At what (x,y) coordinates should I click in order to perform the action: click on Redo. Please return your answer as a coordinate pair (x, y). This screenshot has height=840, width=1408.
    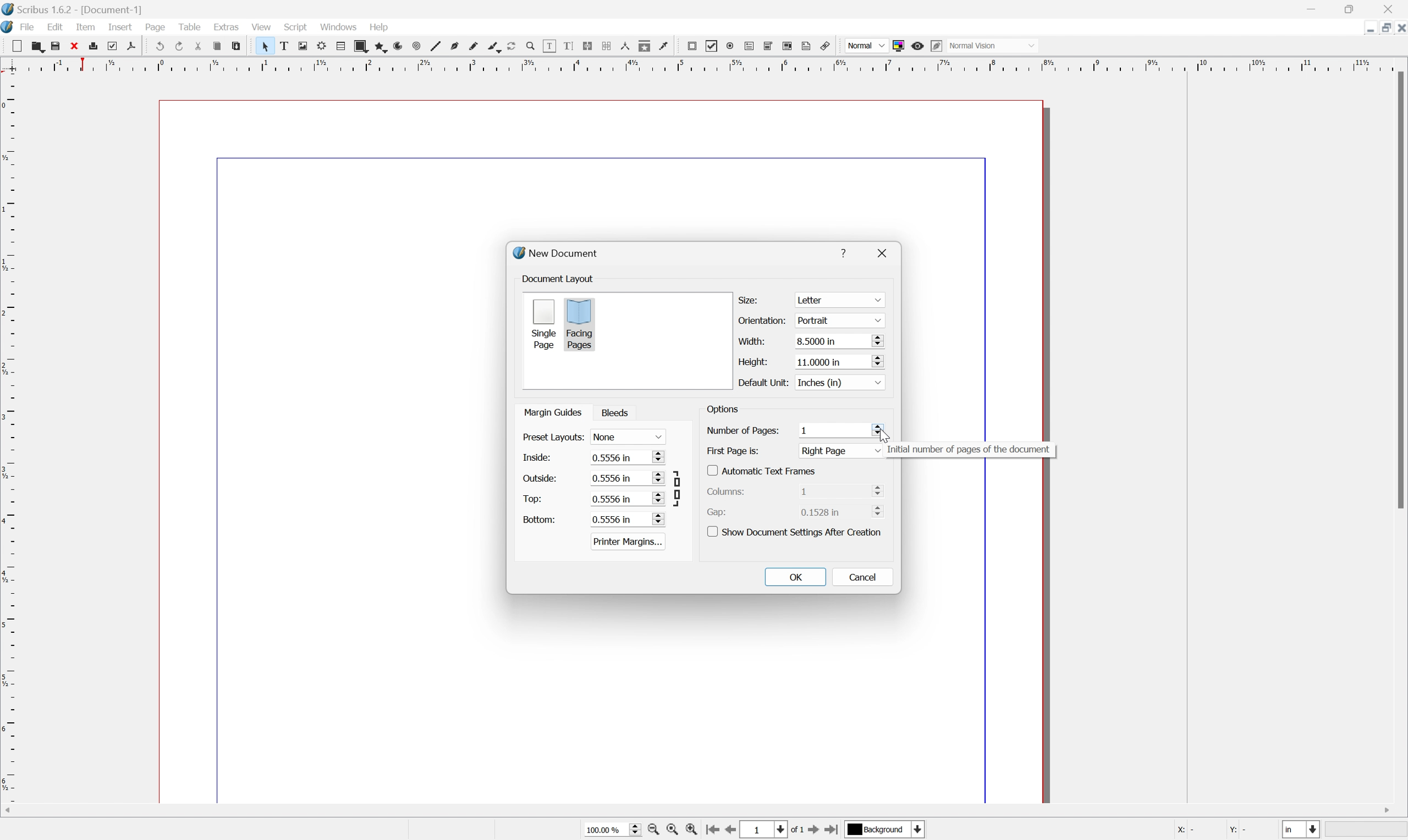
    Looking at the image, I should click on (179, 46).